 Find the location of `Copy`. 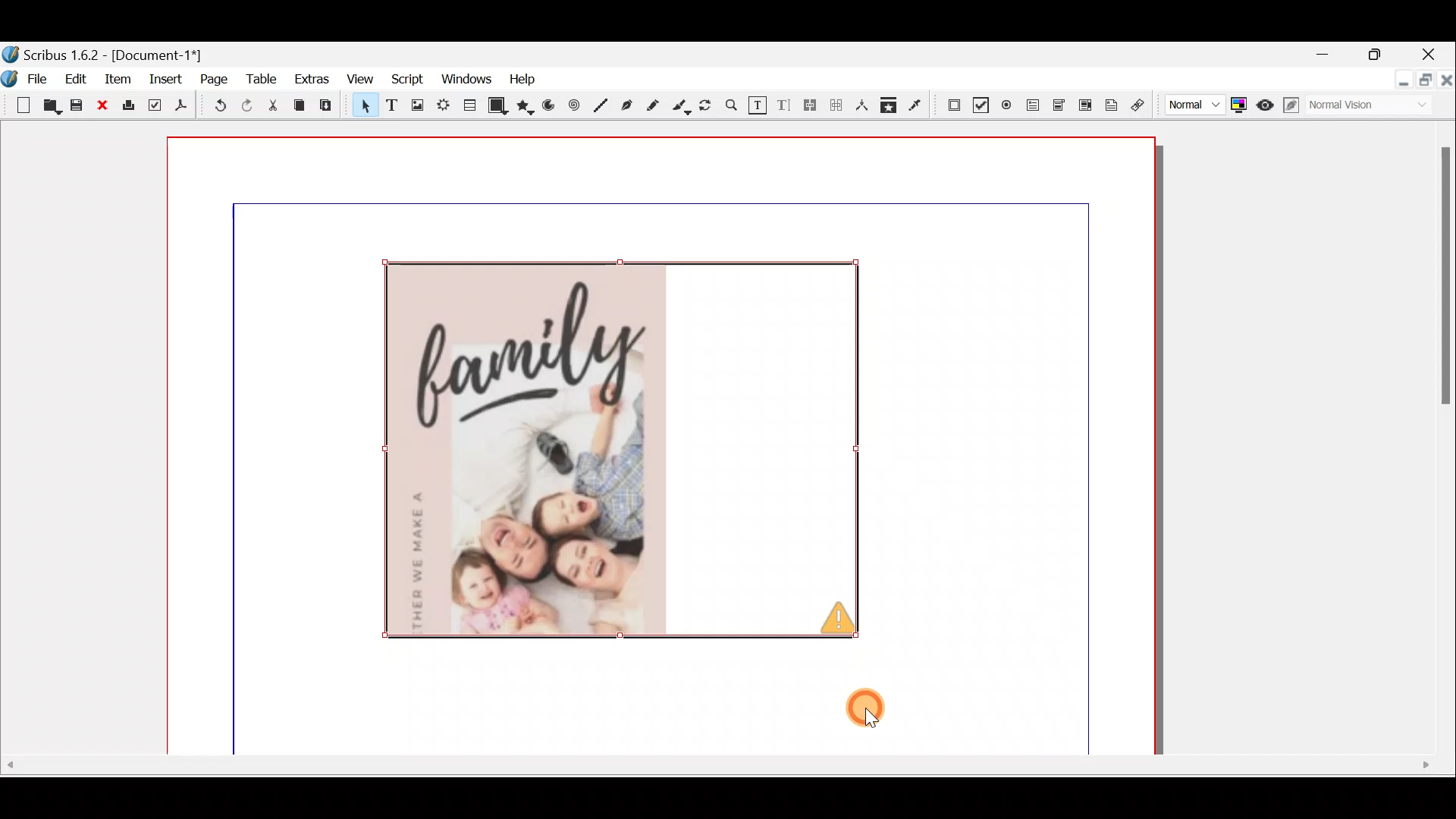

Copy is located at coordinates (300, 105).